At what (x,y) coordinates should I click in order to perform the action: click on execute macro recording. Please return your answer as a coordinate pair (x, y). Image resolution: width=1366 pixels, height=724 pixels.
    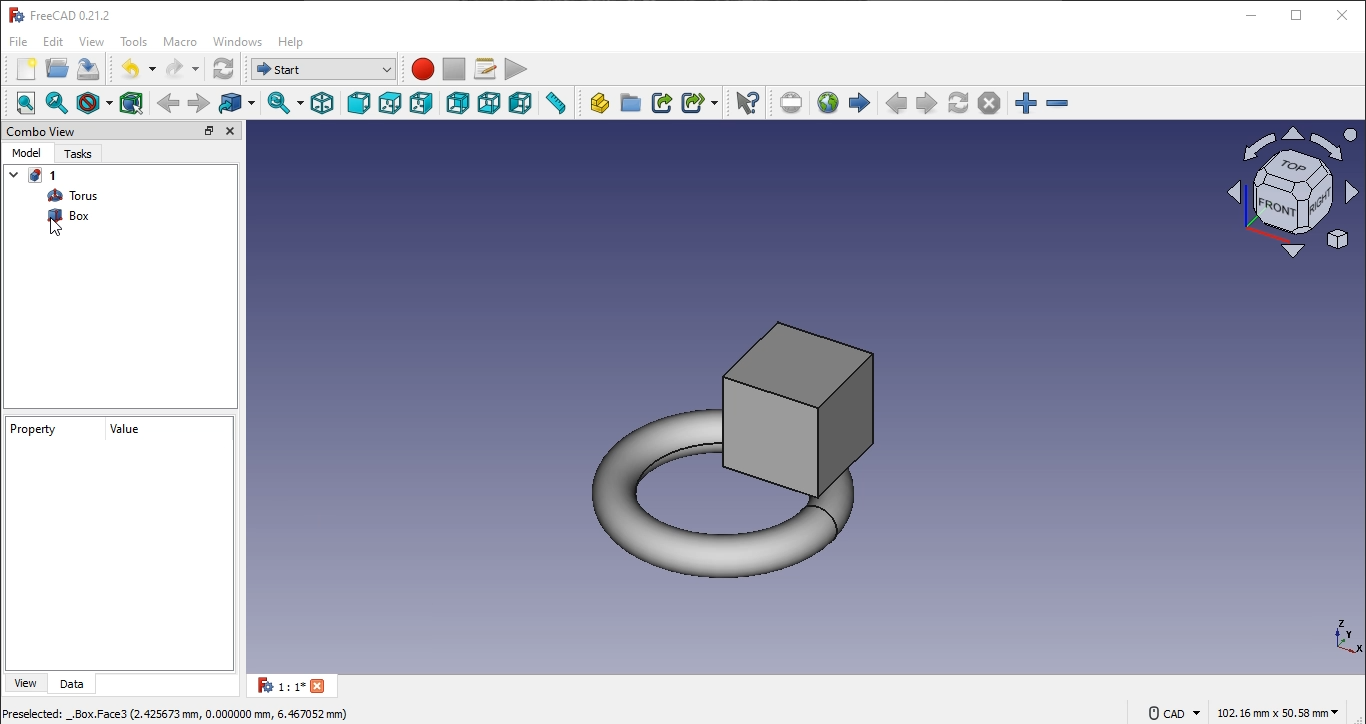
    Looking at the image, I should click on (515, 70).